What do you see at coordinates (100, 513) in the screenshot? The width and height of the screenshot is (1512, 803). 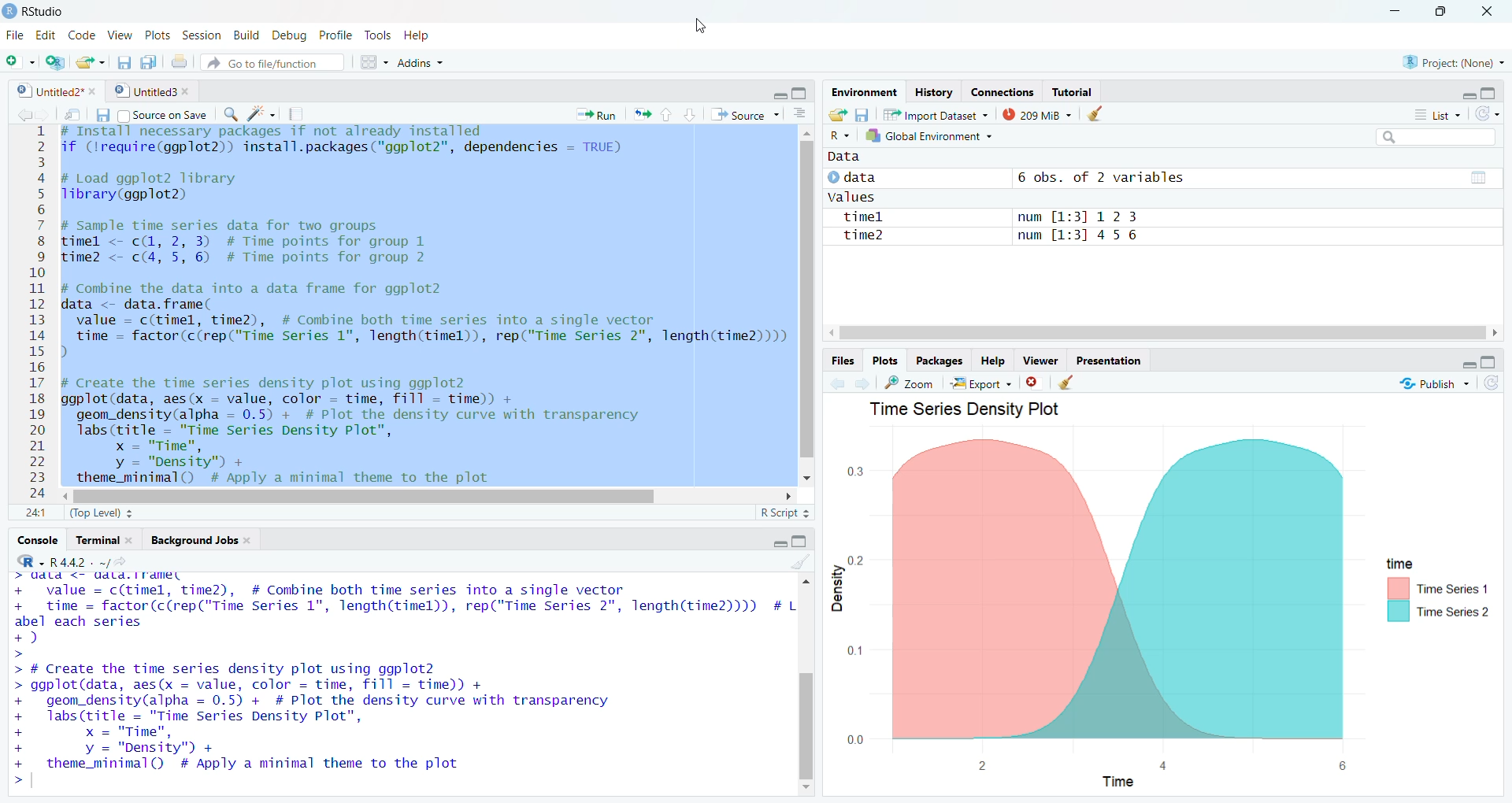 I see `(Top Level)` at bounding box center [100, 513].